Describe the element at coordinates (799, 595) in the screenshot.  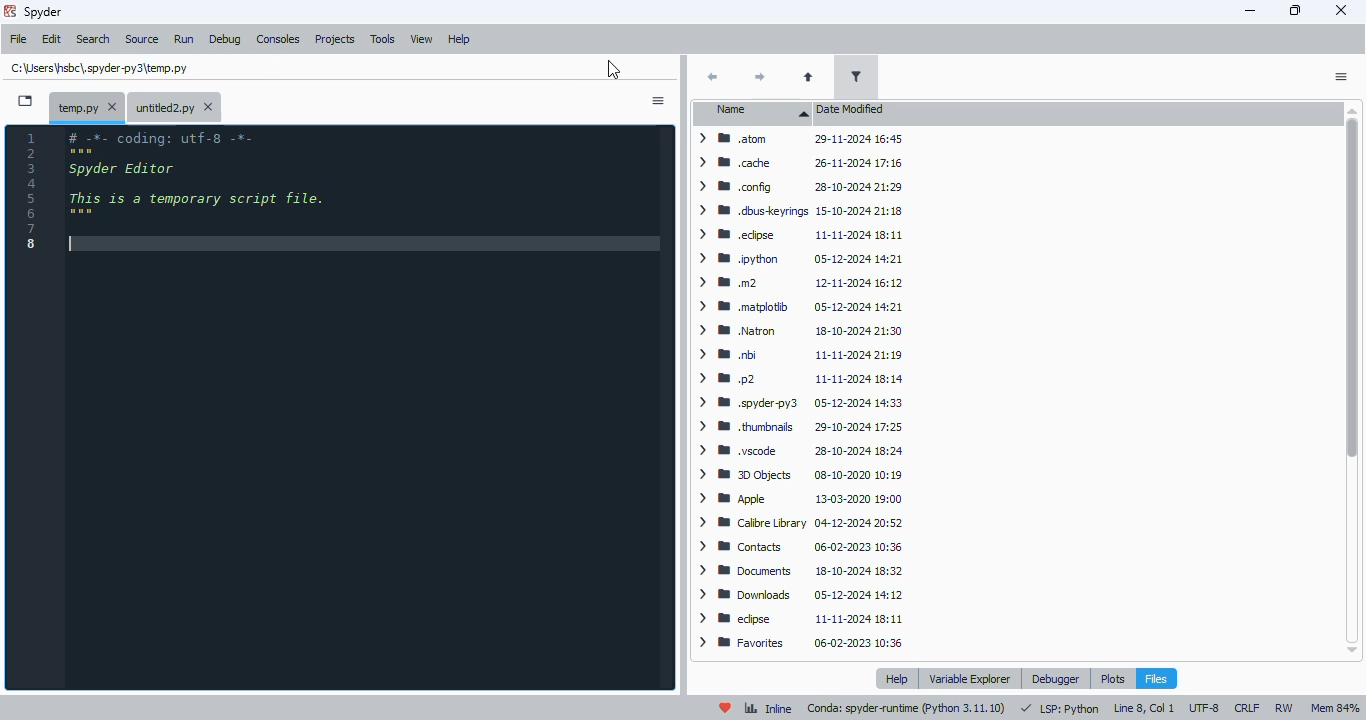
I see `> WM Downloads ~~ 05-12-2024 14:12` at that location.